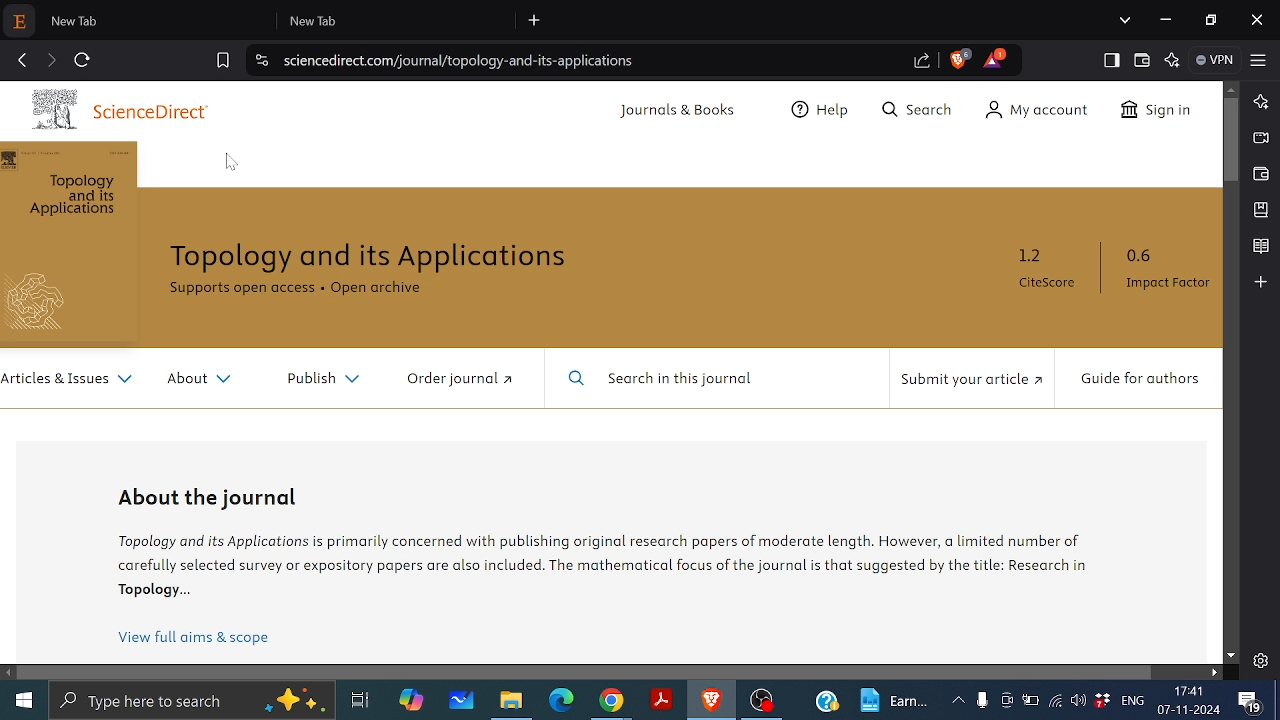 This screenshot has width=1280, height=720. What do you see at coordinates (1261, 282) in the screenshot?
I see `Add to sidebar` at bounding box center [1261, 282].